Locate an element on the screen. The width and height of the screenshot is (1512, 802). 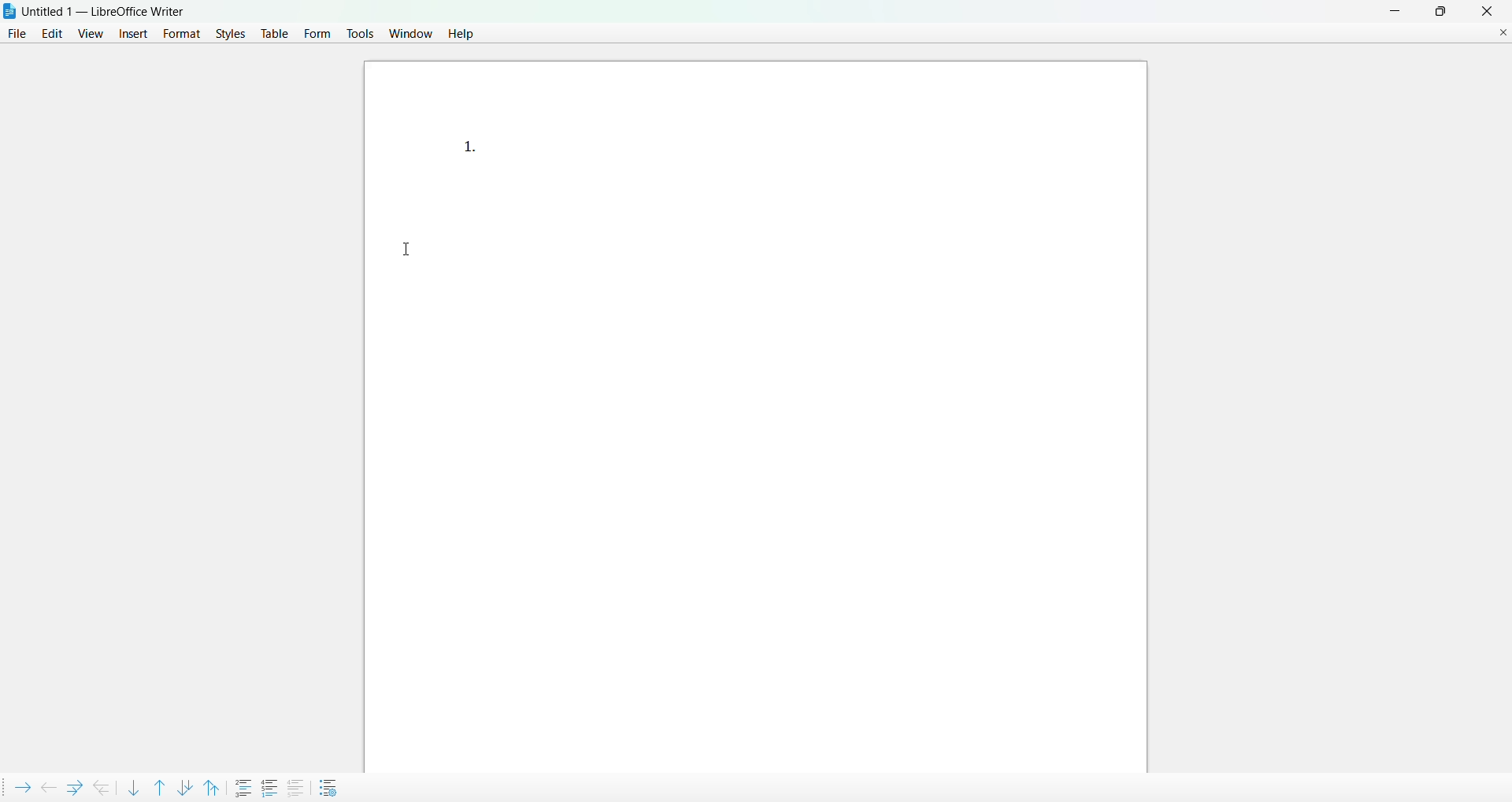
demote outline level is located at coordinates (21, 785).